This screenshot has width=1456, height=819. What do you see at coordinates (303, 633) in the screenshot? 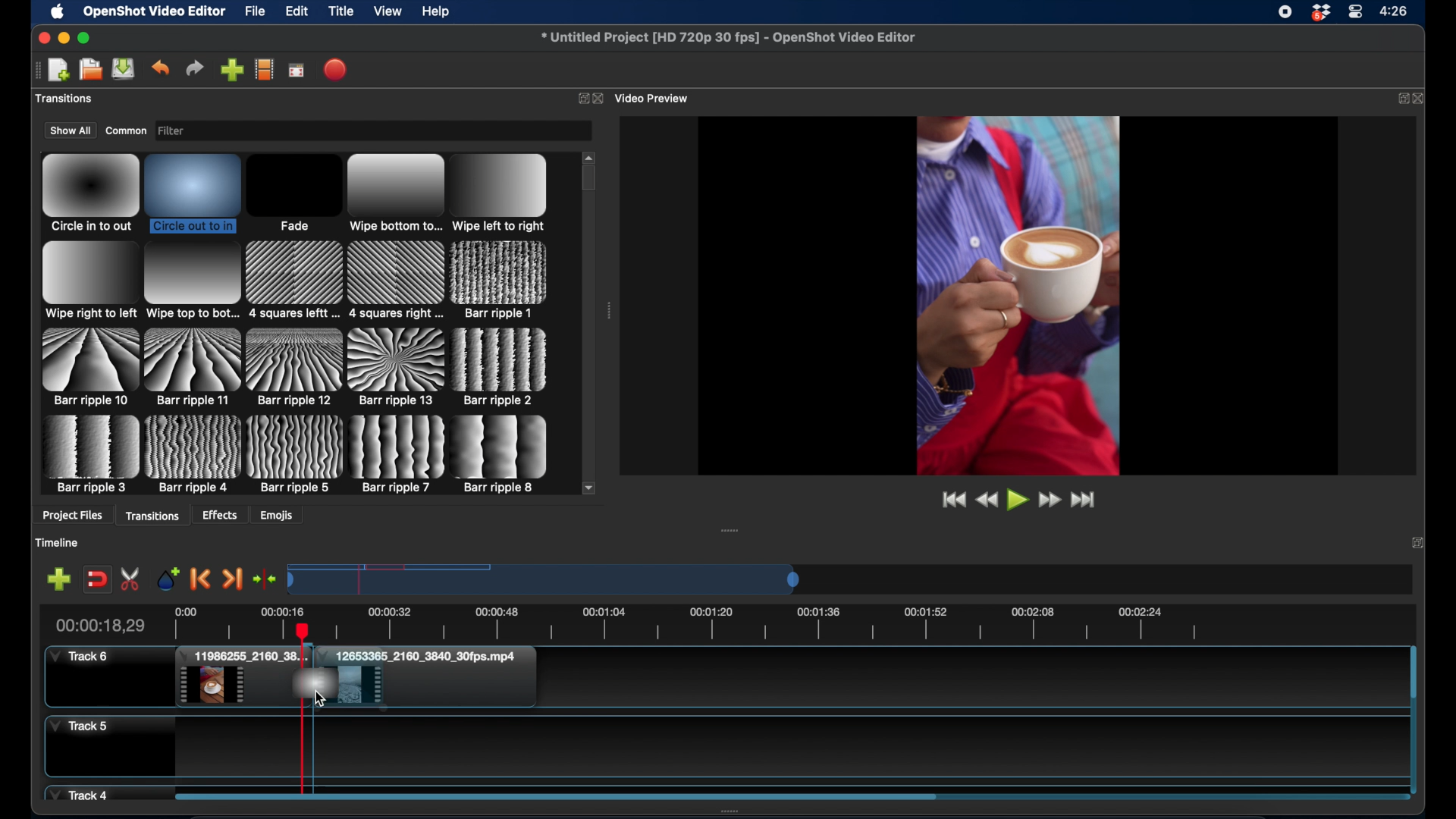
I see `cursor` at bounding box center [303, 633].